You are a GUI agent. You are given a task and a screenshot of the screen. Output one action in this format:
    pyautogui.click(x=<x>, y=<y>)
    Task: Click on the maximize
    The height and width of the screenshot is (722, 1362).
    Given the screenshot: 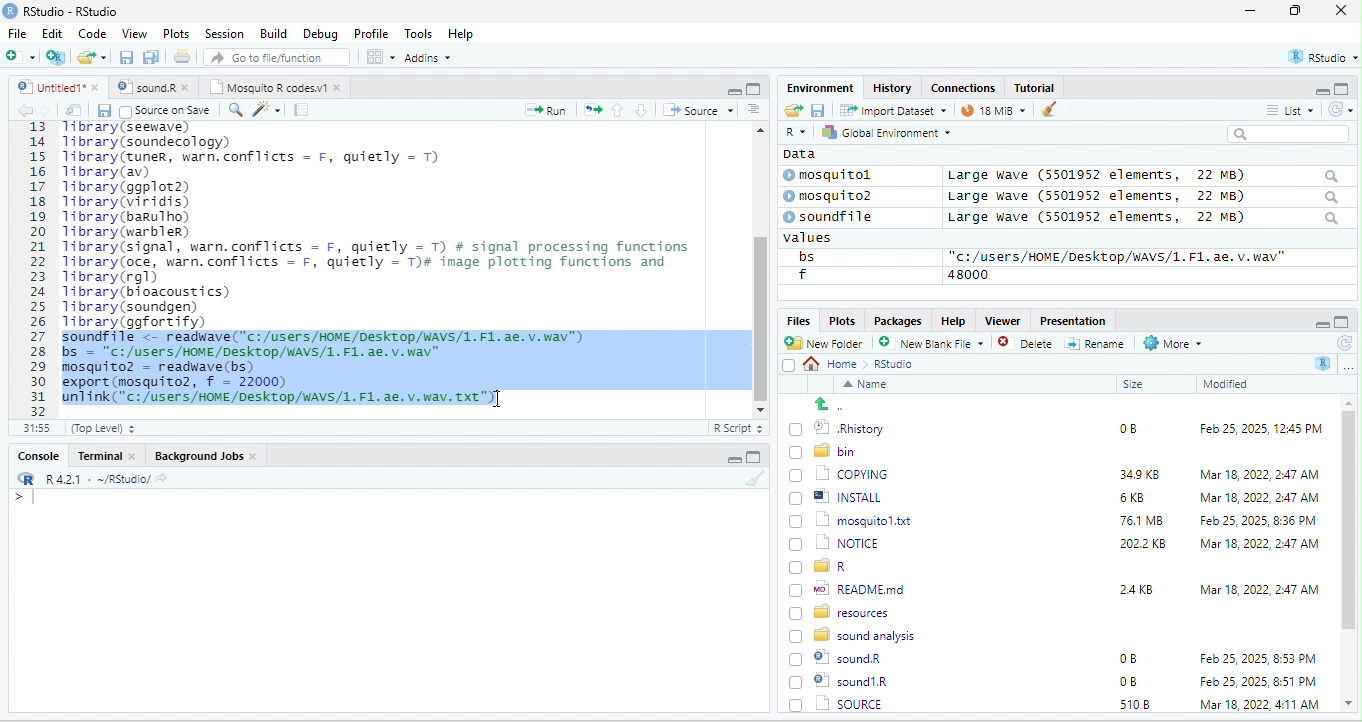 What is the action you would take?
    pyautogui.click(x=1344, y=88)
    